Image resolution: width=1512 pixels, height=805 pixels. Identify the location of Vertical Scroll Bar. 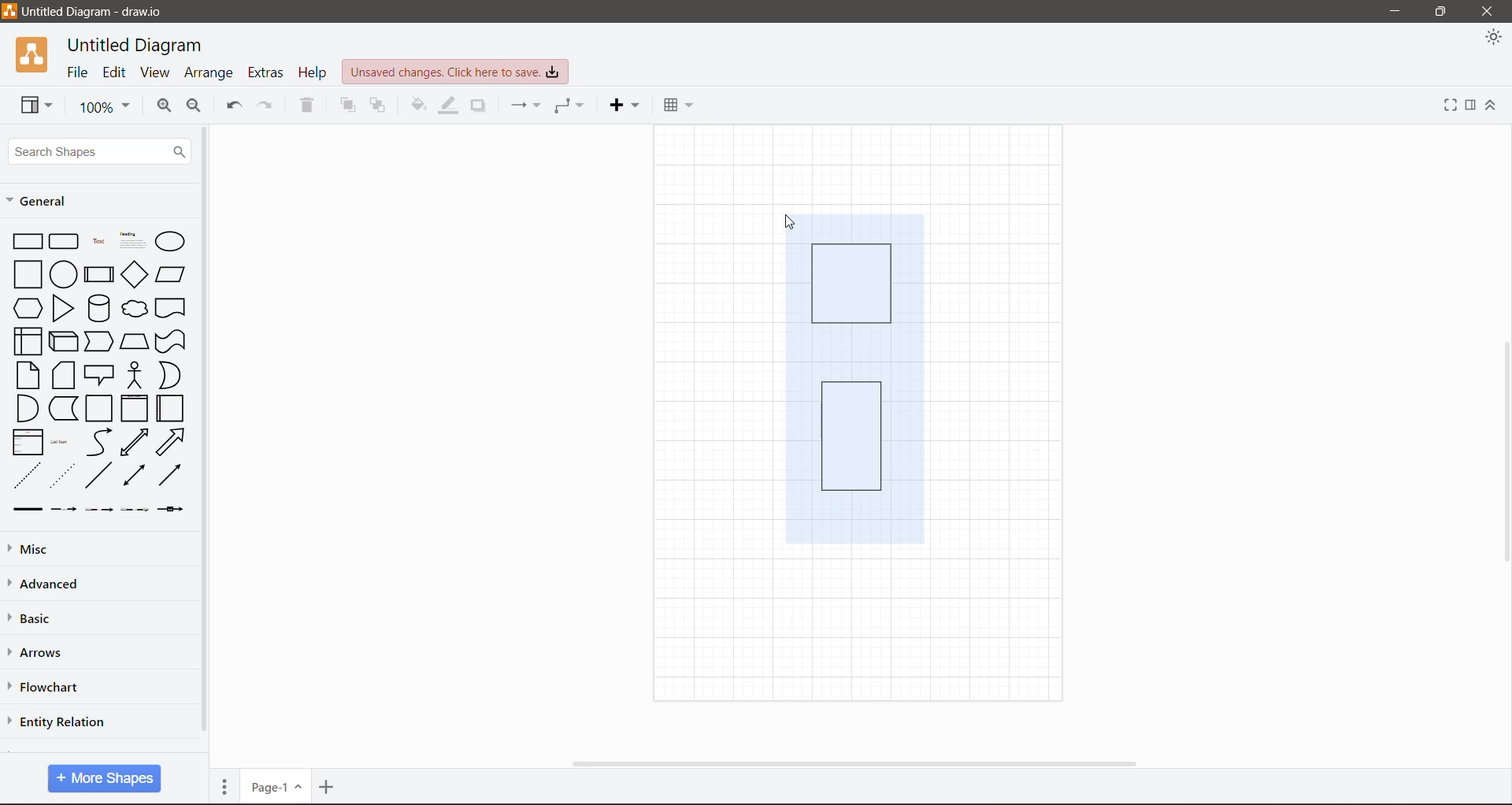
(1503, 453).